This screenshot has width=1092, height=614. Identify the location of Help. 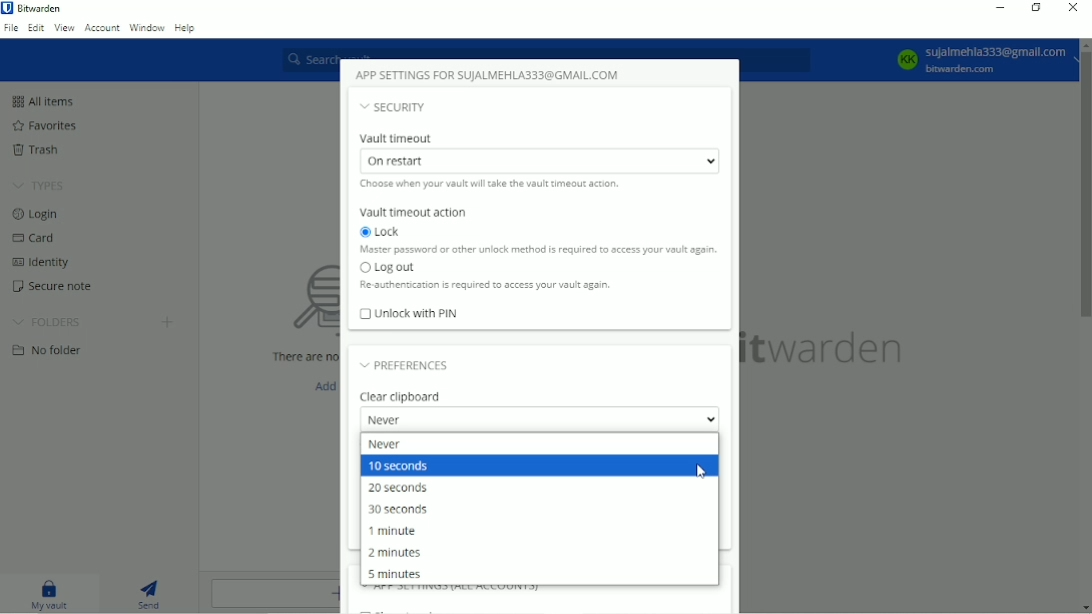
(186, 27).